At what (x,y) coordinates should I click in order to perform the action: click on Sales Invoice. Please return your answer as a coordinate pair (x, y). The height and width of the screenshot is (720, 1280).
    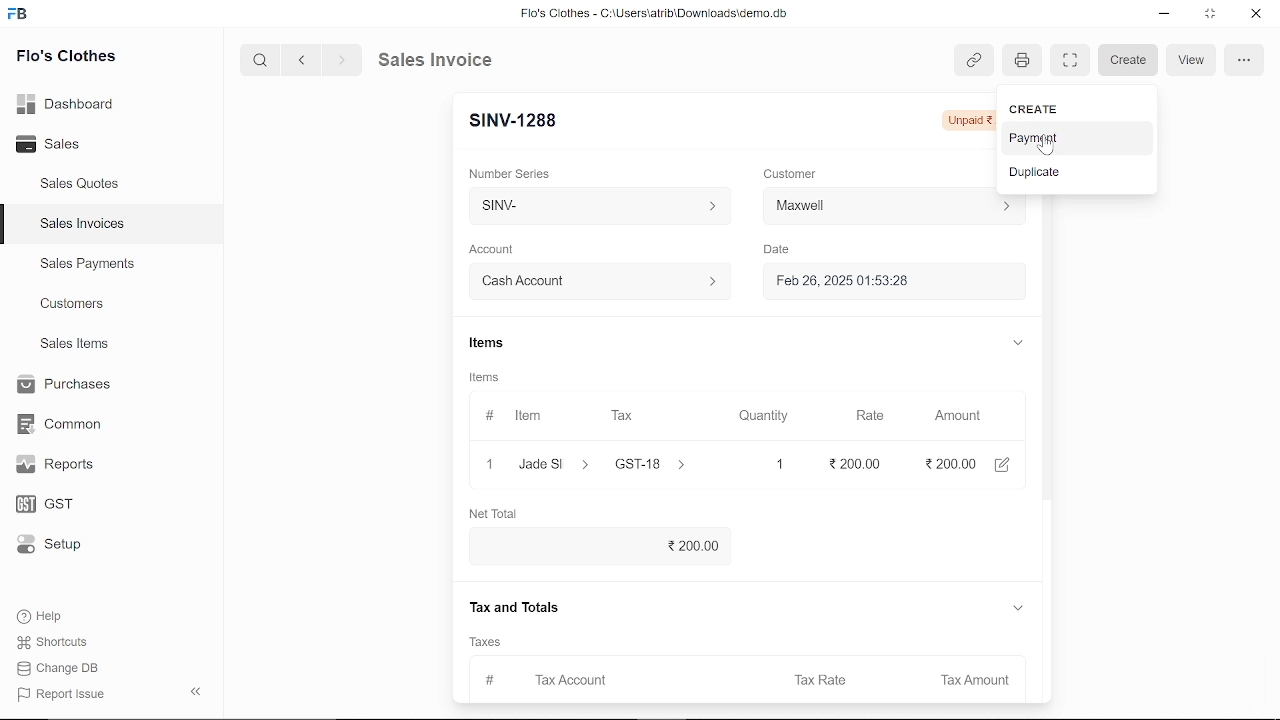
    Looking at the image, I should click on (450, 59).